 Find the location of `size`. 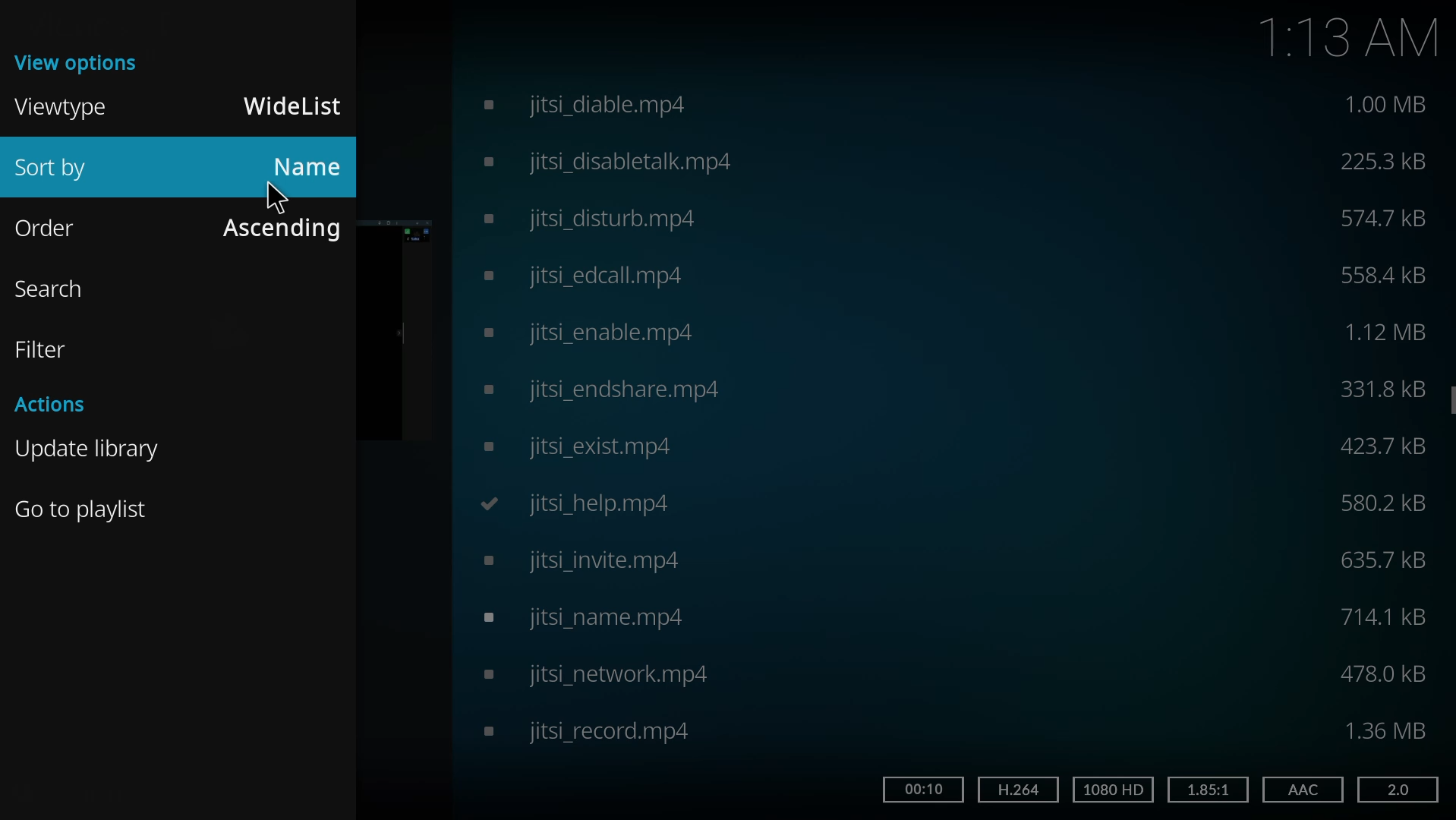

size is located at coordinates (1384, 506).